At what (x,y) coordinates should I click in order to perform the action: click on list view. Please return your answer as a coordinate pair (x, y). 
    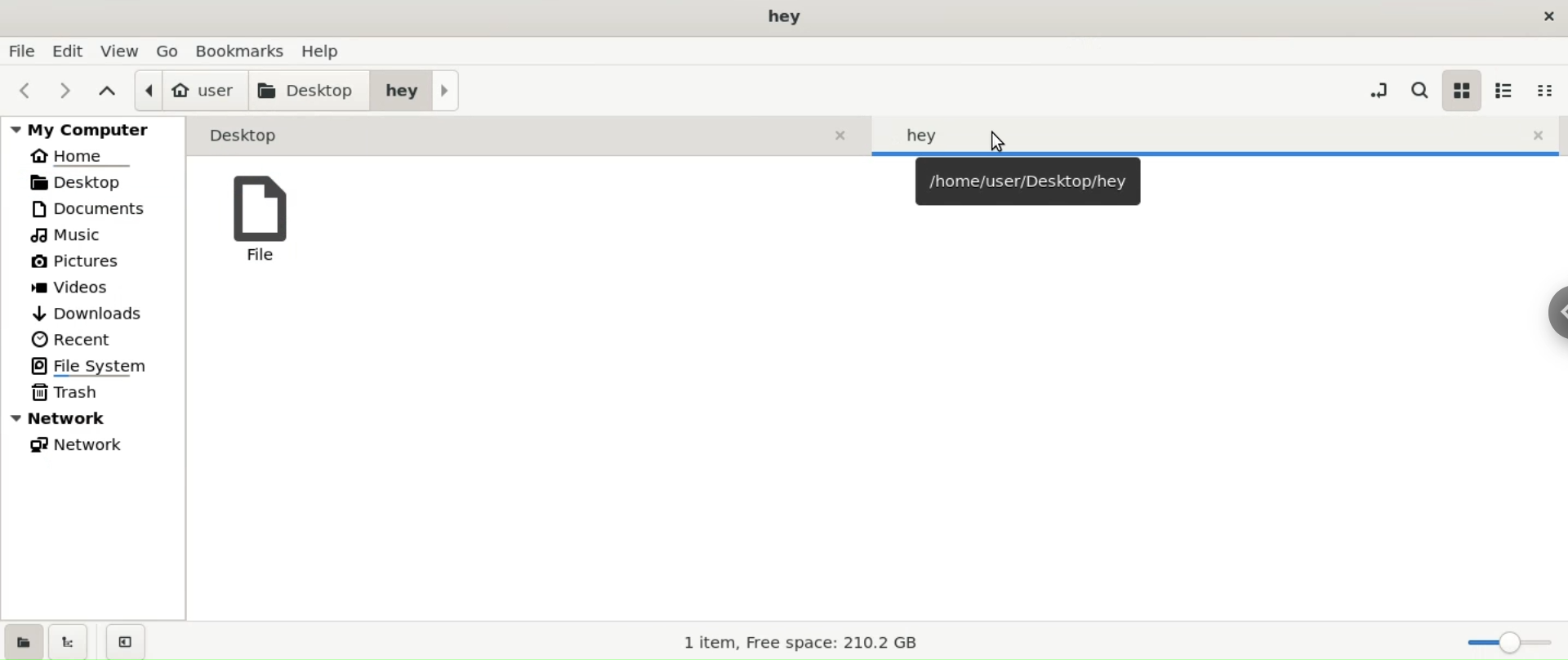
    Looking at the image, I should click on (1507, 90).